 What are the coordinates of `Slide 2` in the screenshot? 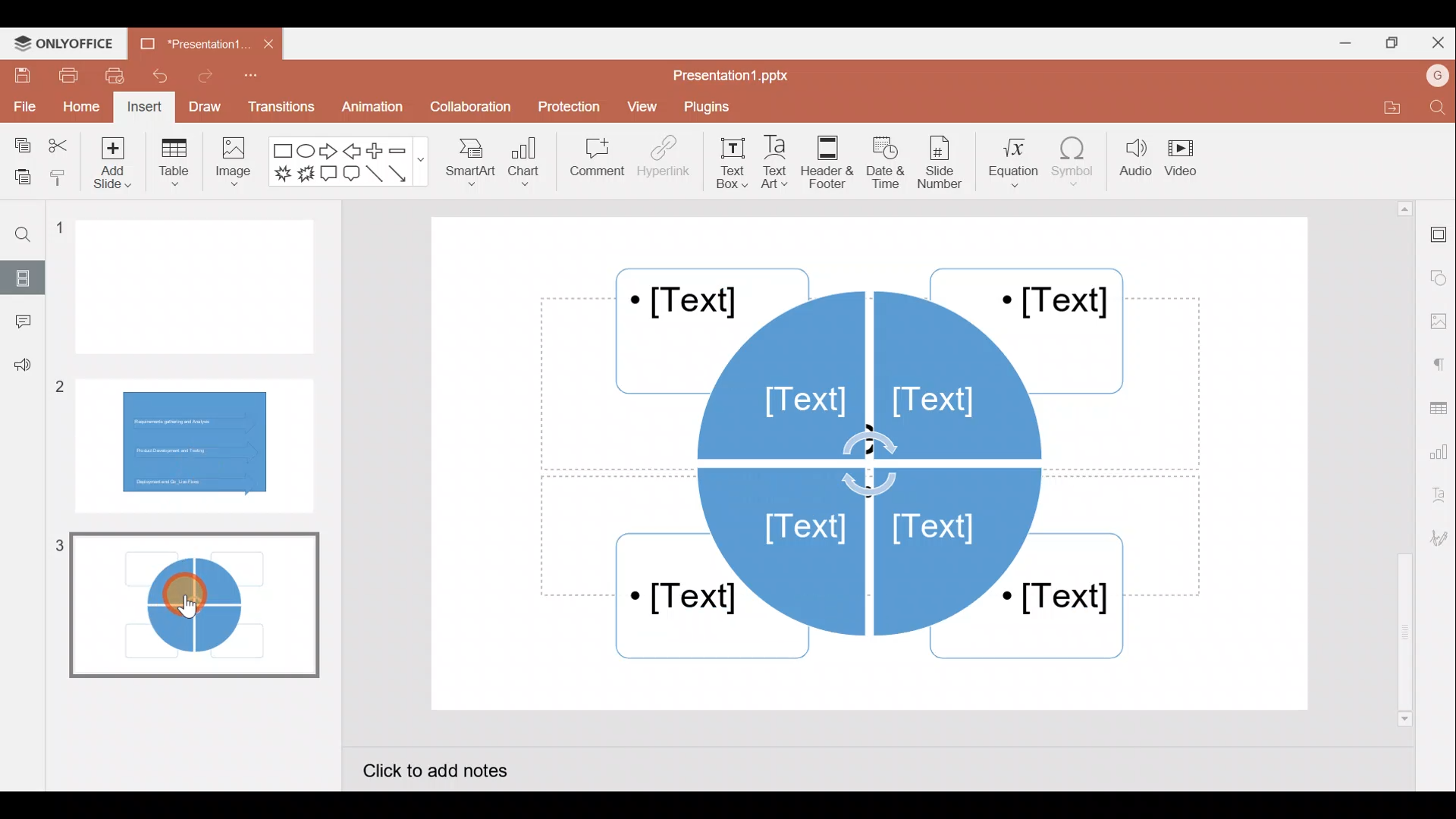 It's located at (196, 441).